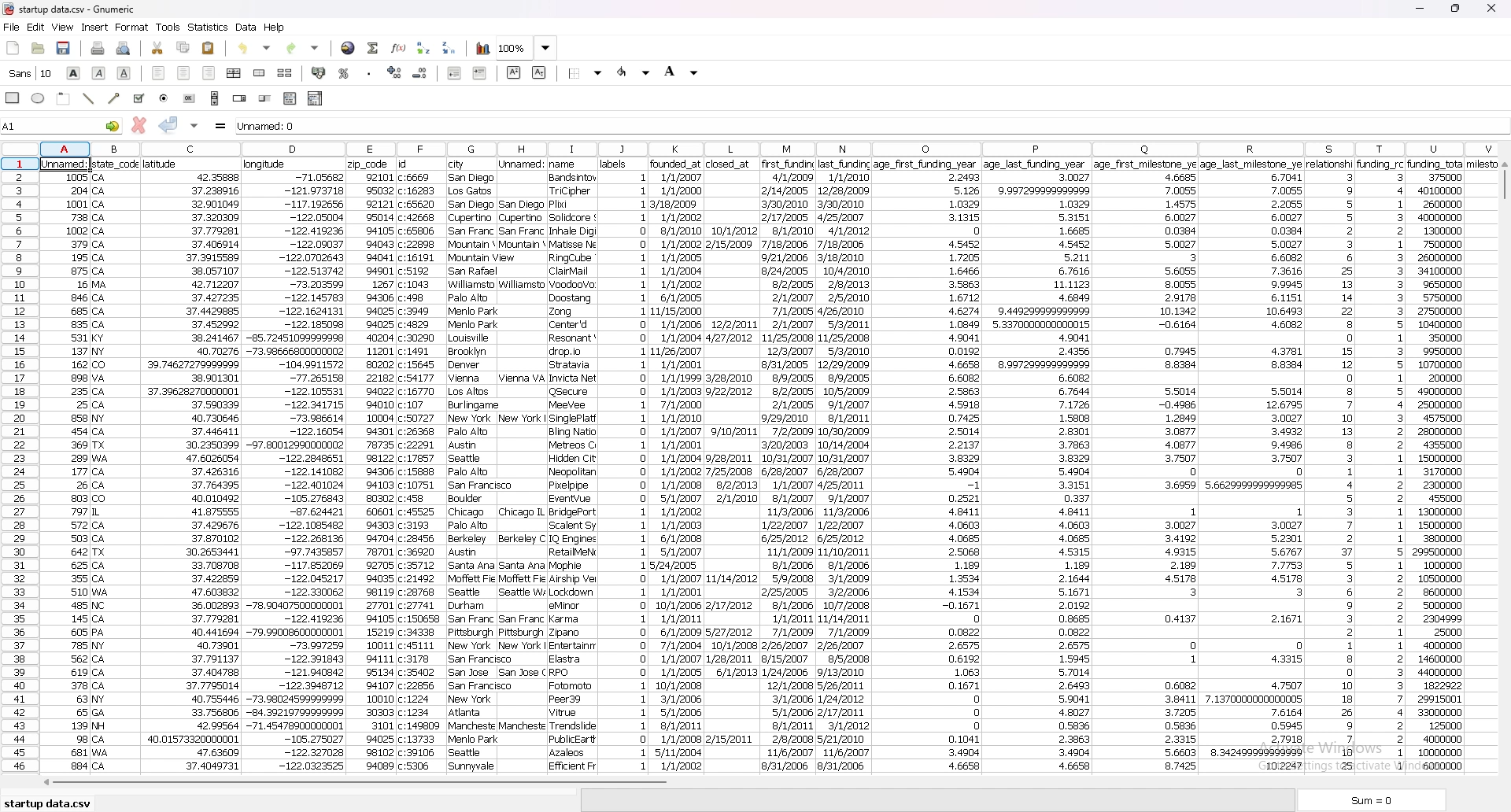 The width and height of the screenshot is (1511, 812). What do you see at coordinates (276, 27) in the screenshot?
I see `help` at bounding box center [276, 27].